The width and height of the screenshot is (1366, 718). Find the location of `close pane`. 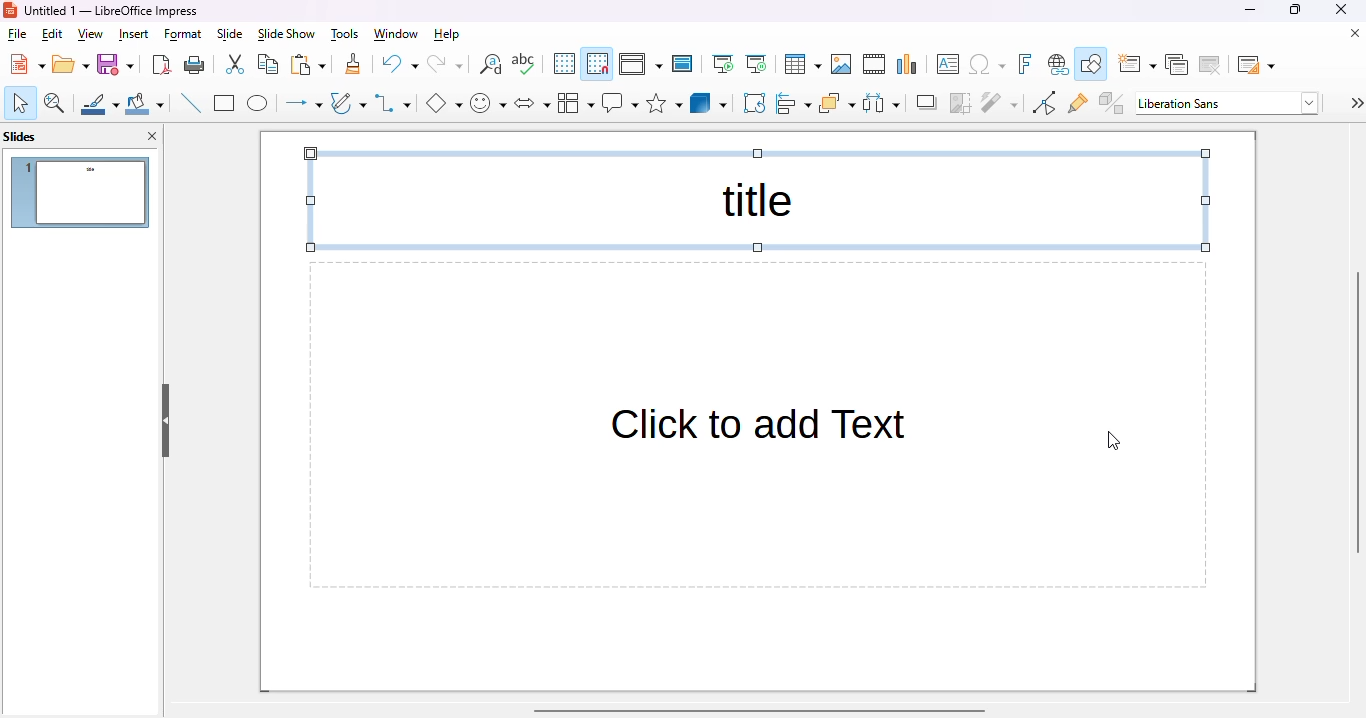

close pane is located at coordinates (153, 135).